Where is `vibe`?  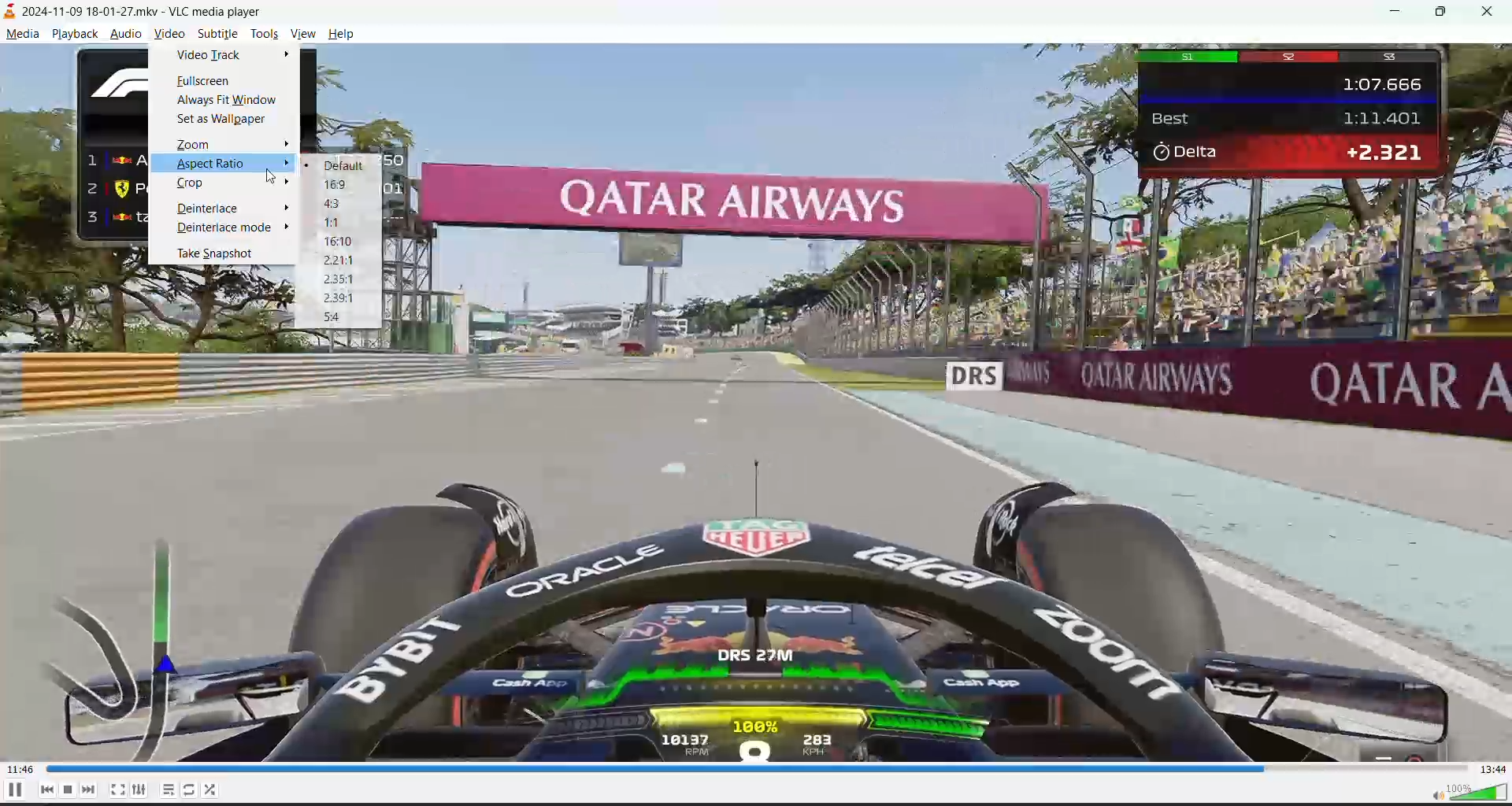
vibe is located at coordinates (302, 33).